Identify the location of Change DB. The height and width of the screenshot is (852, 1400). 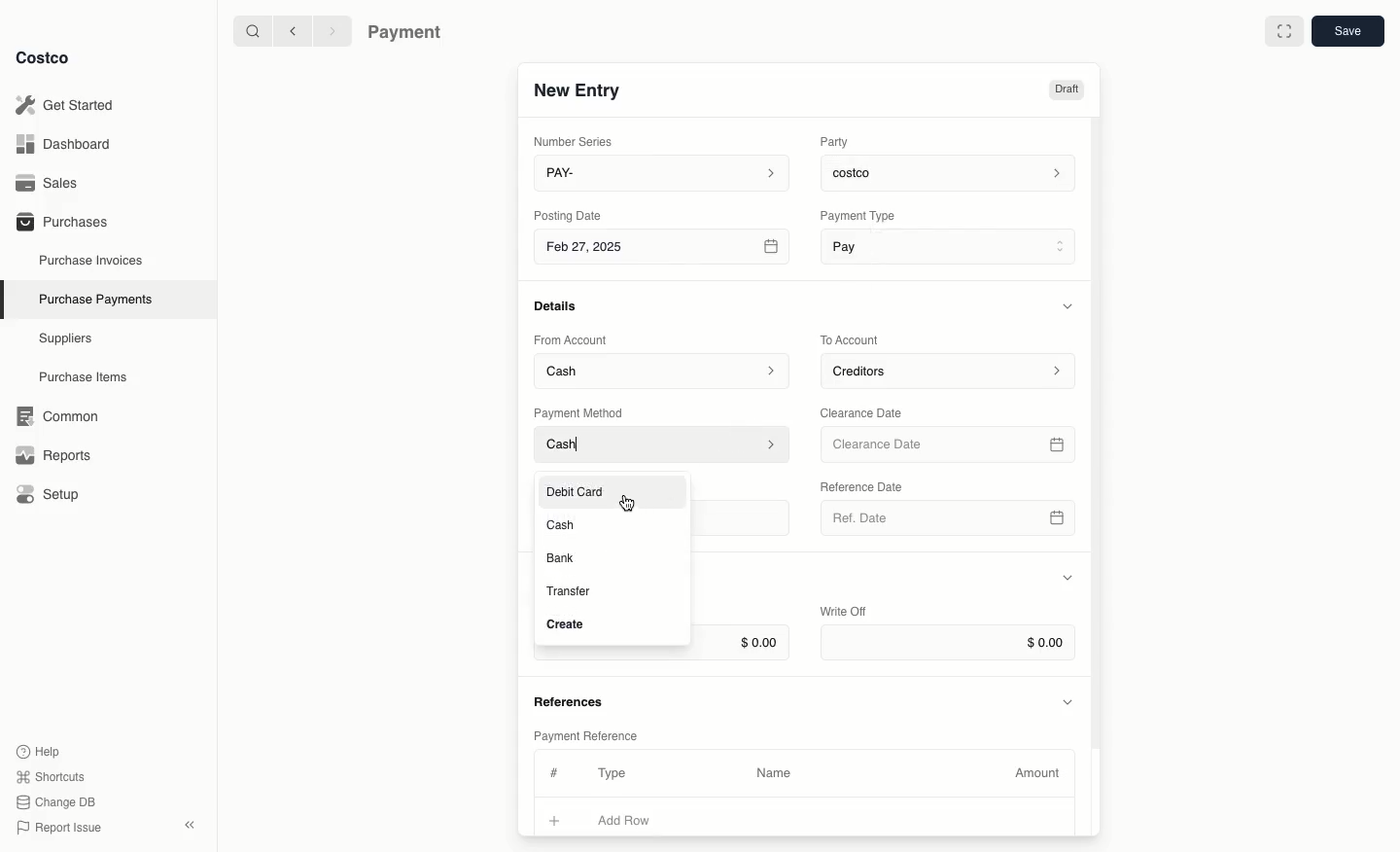
(59, 802).